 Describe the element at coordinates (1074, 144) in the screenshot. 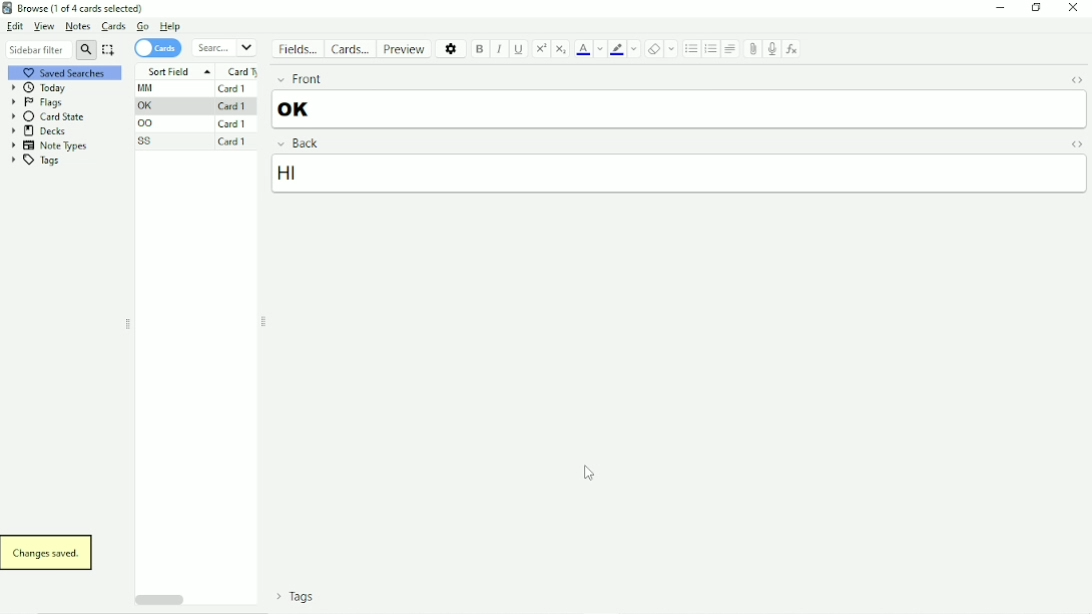

I see `Toggle HTML Editor` at that location.